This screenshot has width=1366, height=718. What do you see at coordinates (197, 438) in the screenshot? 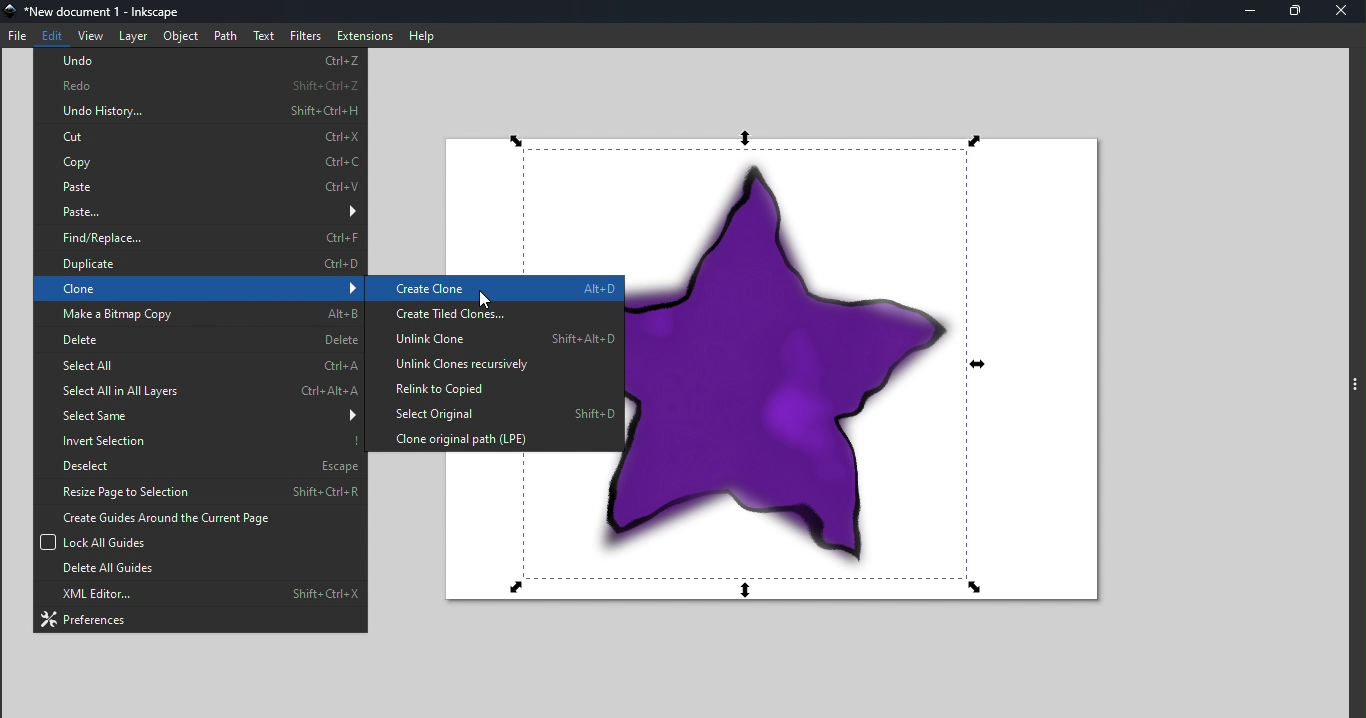
I see `Invert selection` at bounding box center [197, 438].